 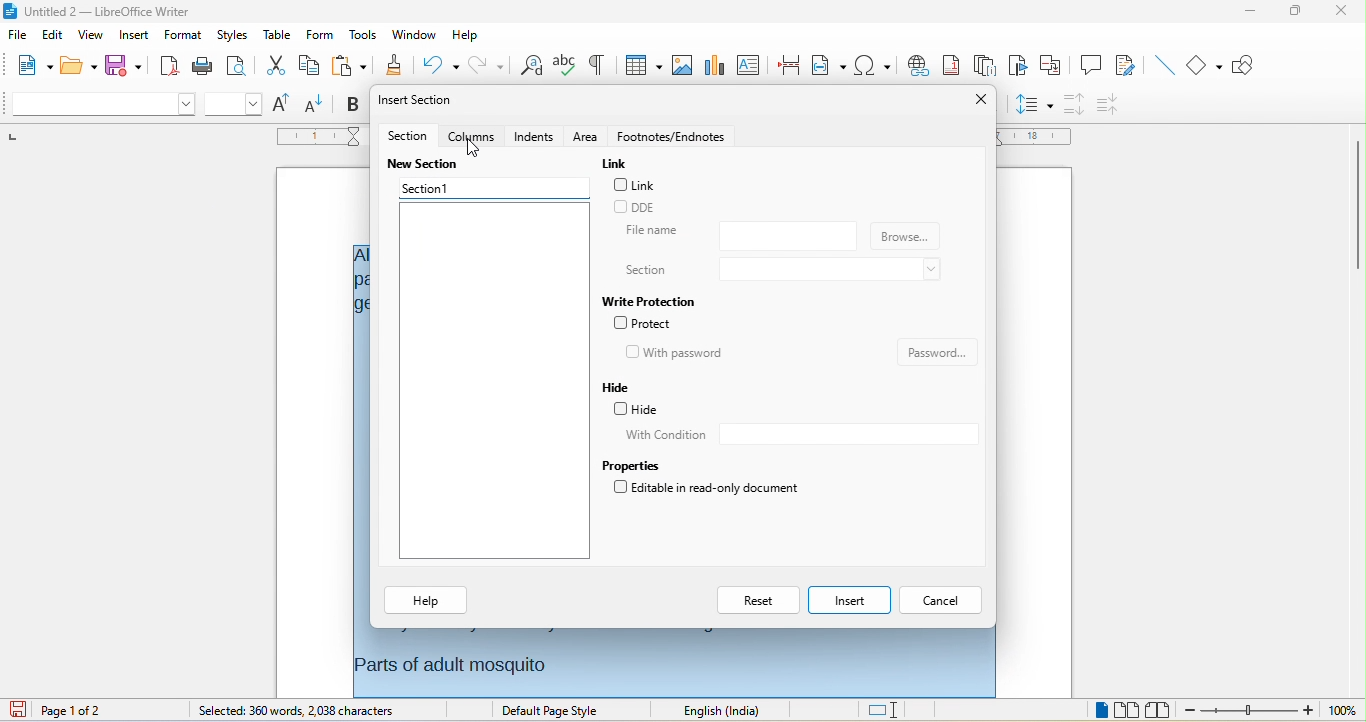 What do you see at coordinates (308, 67) in the screenshot?
I see `copy` at bounding box center [308, 67].